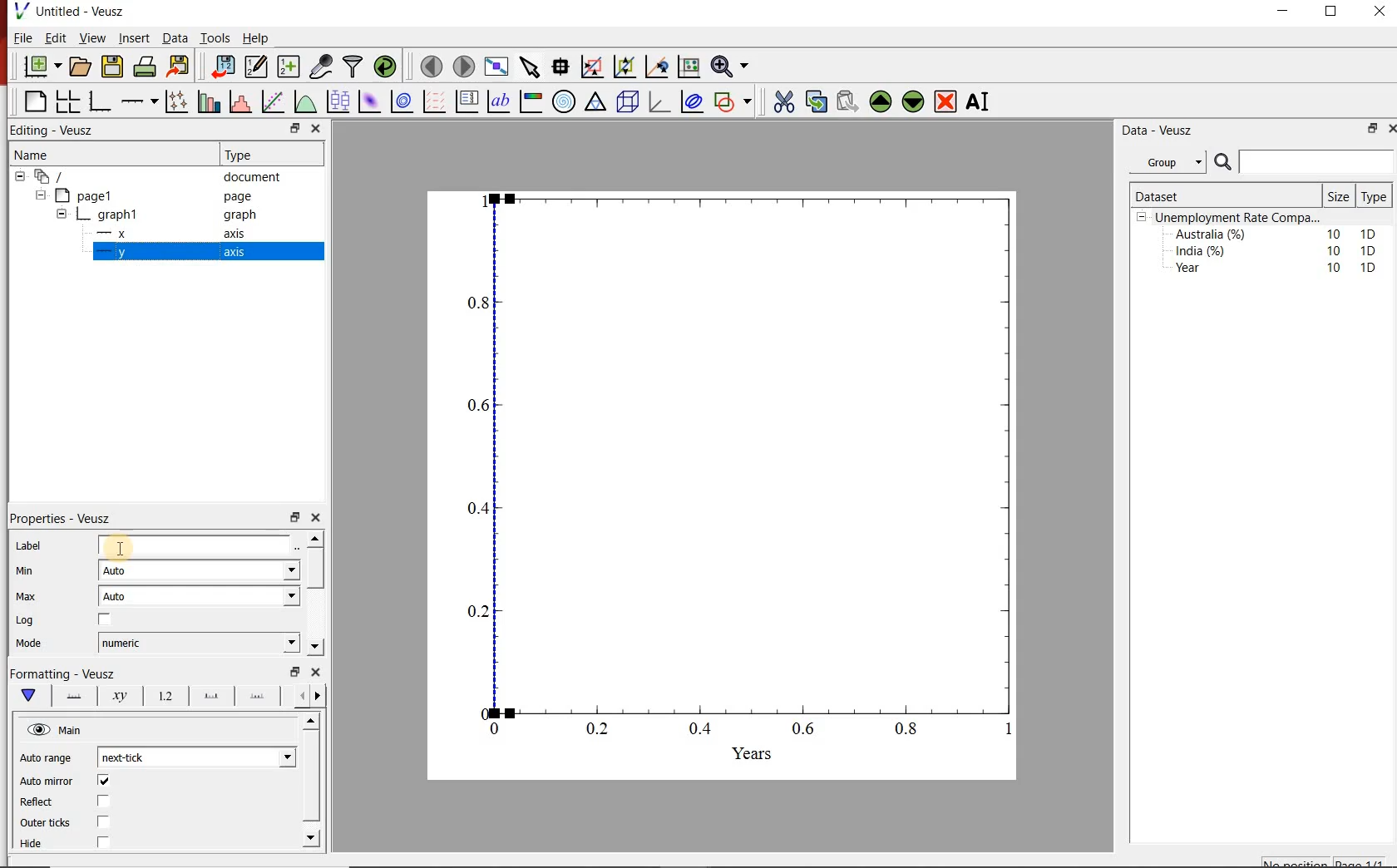  I want to click on Unemployment Rate Compa..., so click(1239, 218).